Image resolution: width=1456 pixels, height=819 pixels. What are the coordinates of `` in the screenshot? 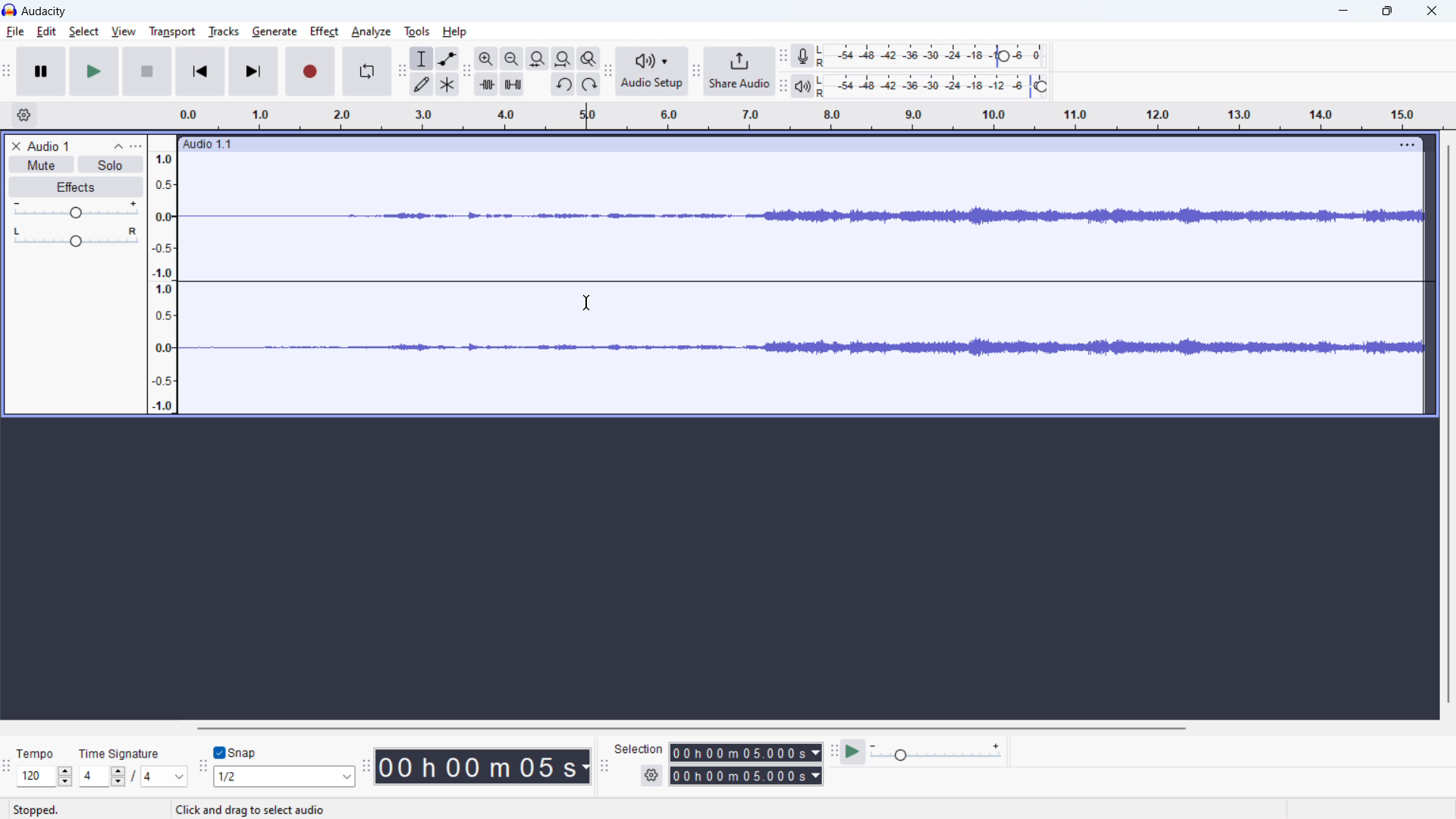 It's located at (802, 52).